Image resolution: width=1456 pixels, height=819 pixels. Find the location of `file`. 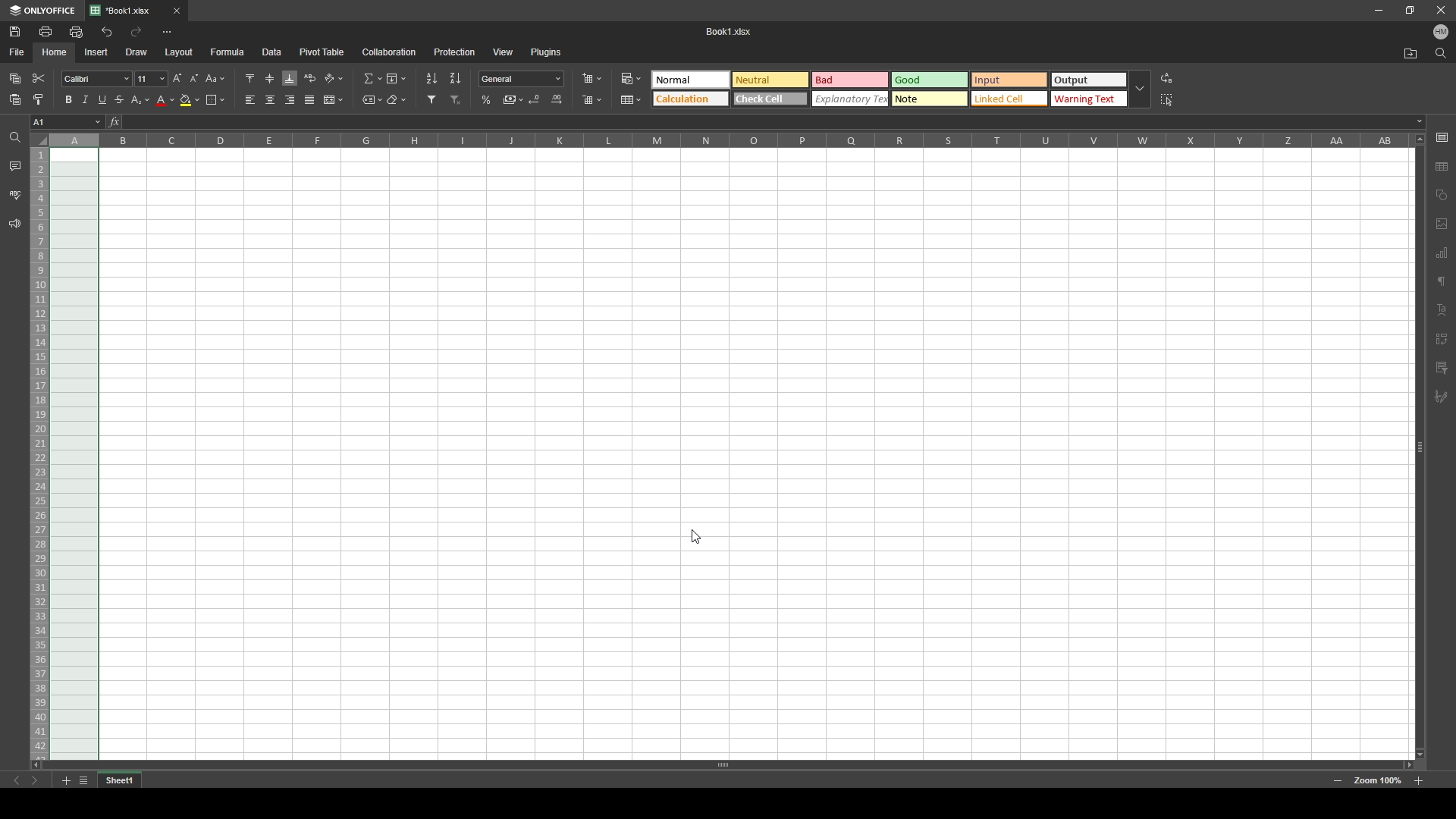

file is located at coordinates (17, 51).